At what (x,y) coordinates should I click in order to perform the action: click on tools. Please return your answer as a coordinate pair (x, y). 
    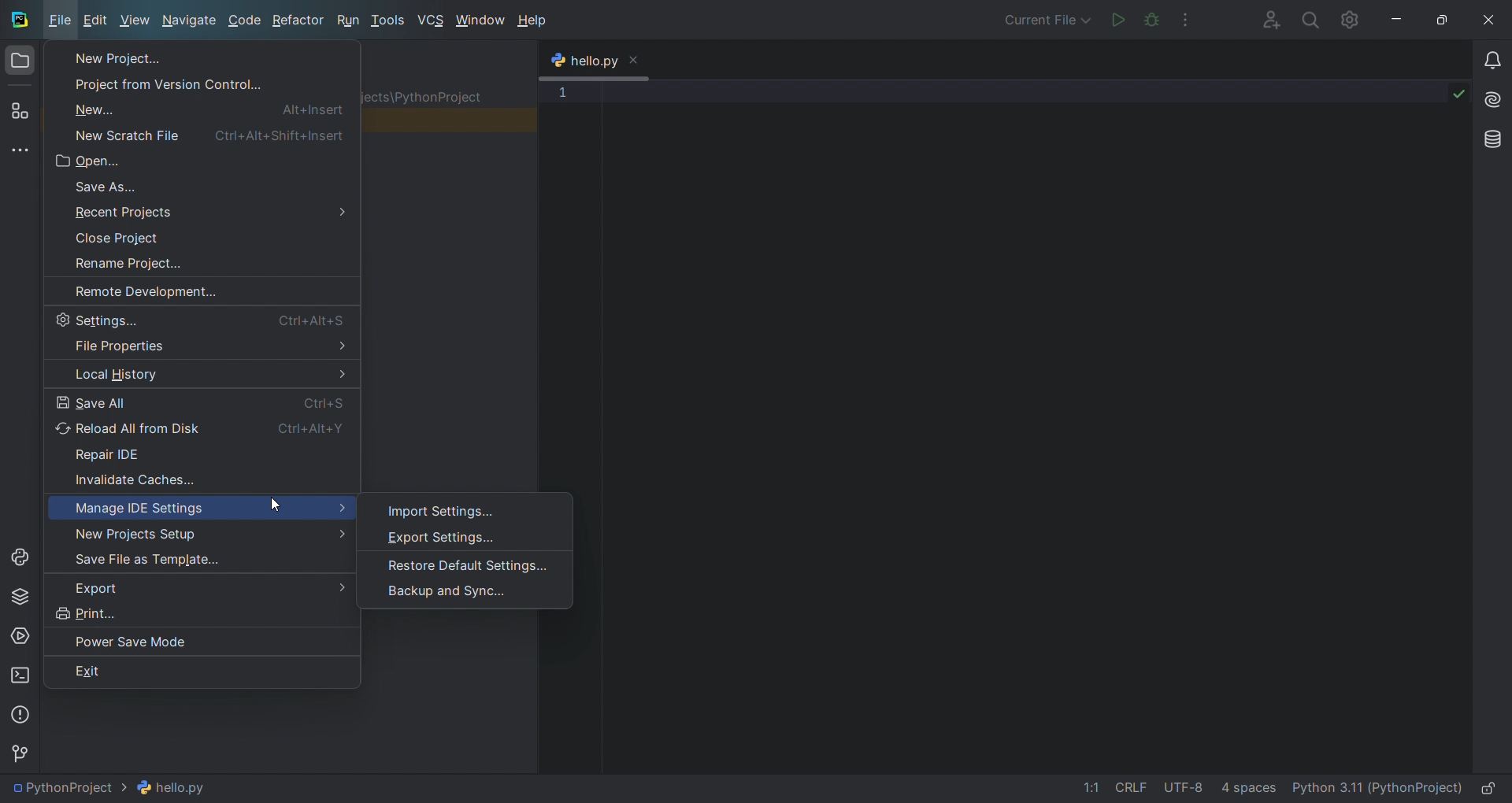
    Looking at the image, I should click on (389, 22).